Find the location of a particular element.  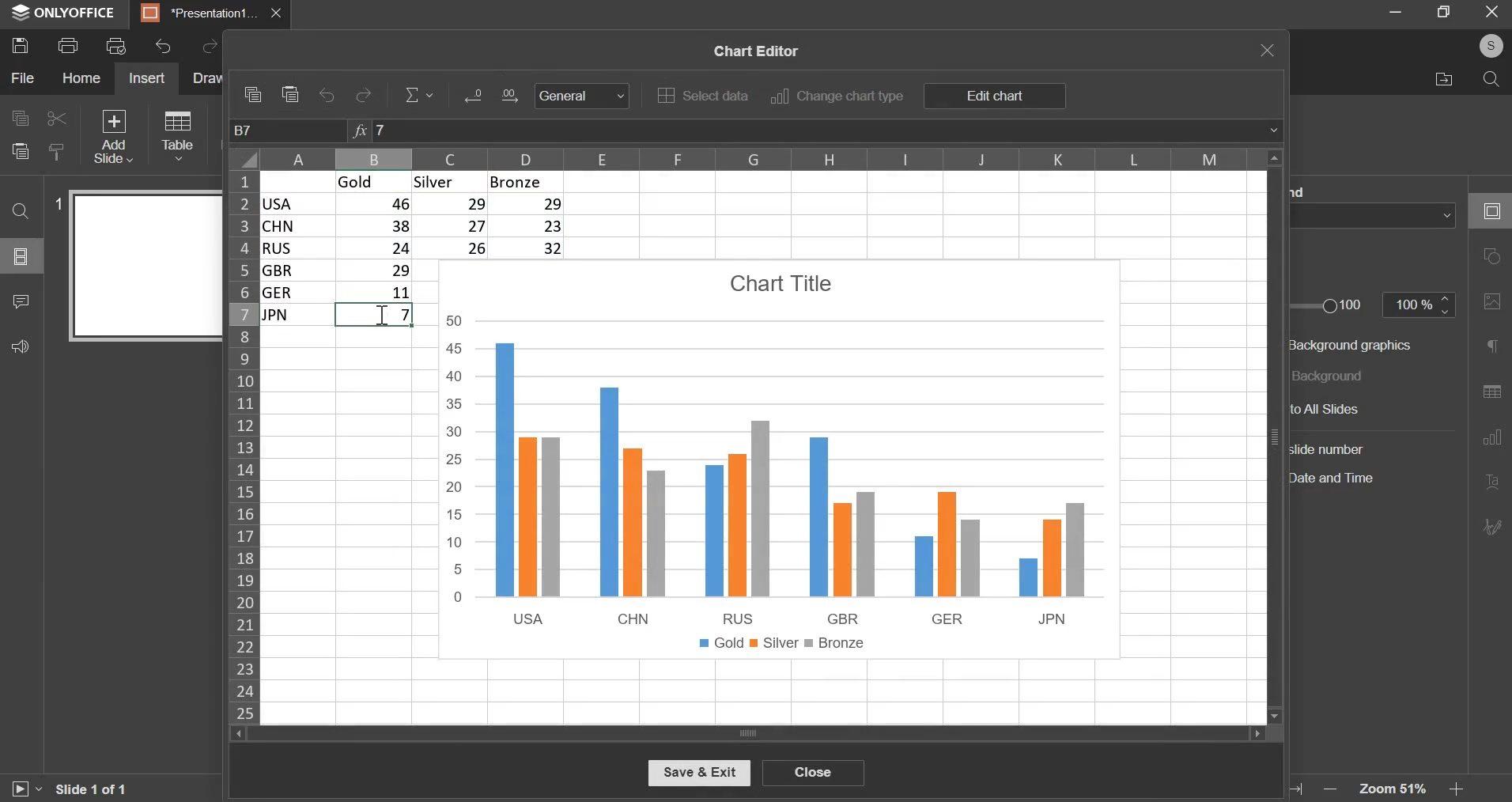

27 is located at coordinates (453, 226).